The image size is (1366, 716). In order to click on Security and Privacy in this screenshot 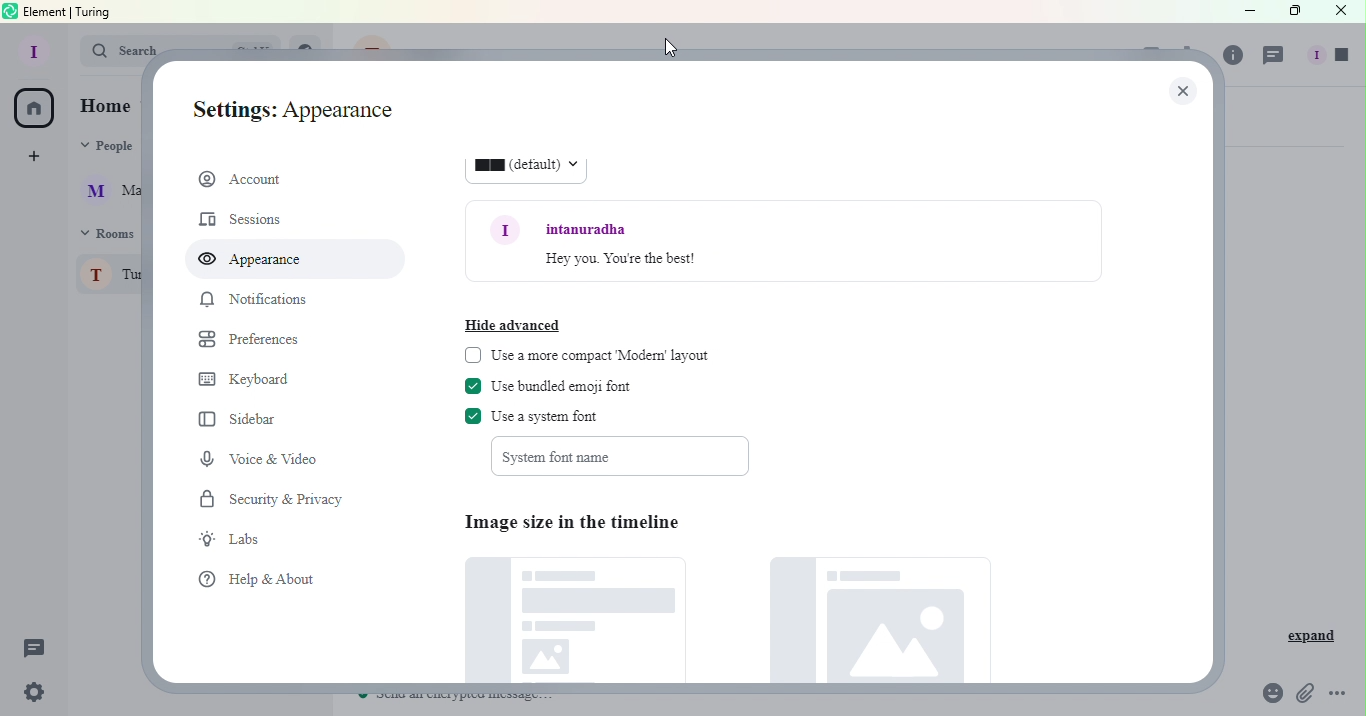, I will do `click(279, 500)`.